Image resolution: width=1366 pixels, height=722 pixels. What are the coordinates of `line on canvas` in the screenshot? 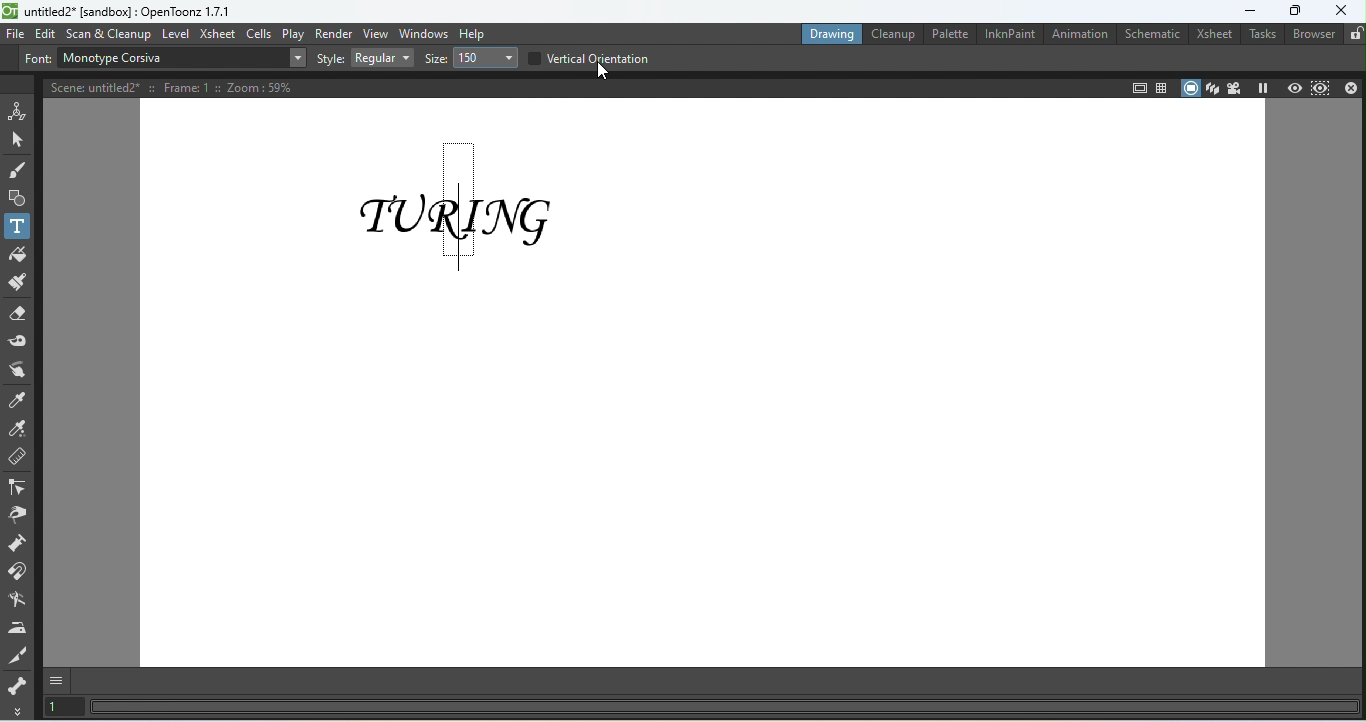 It's located at (457, 208).